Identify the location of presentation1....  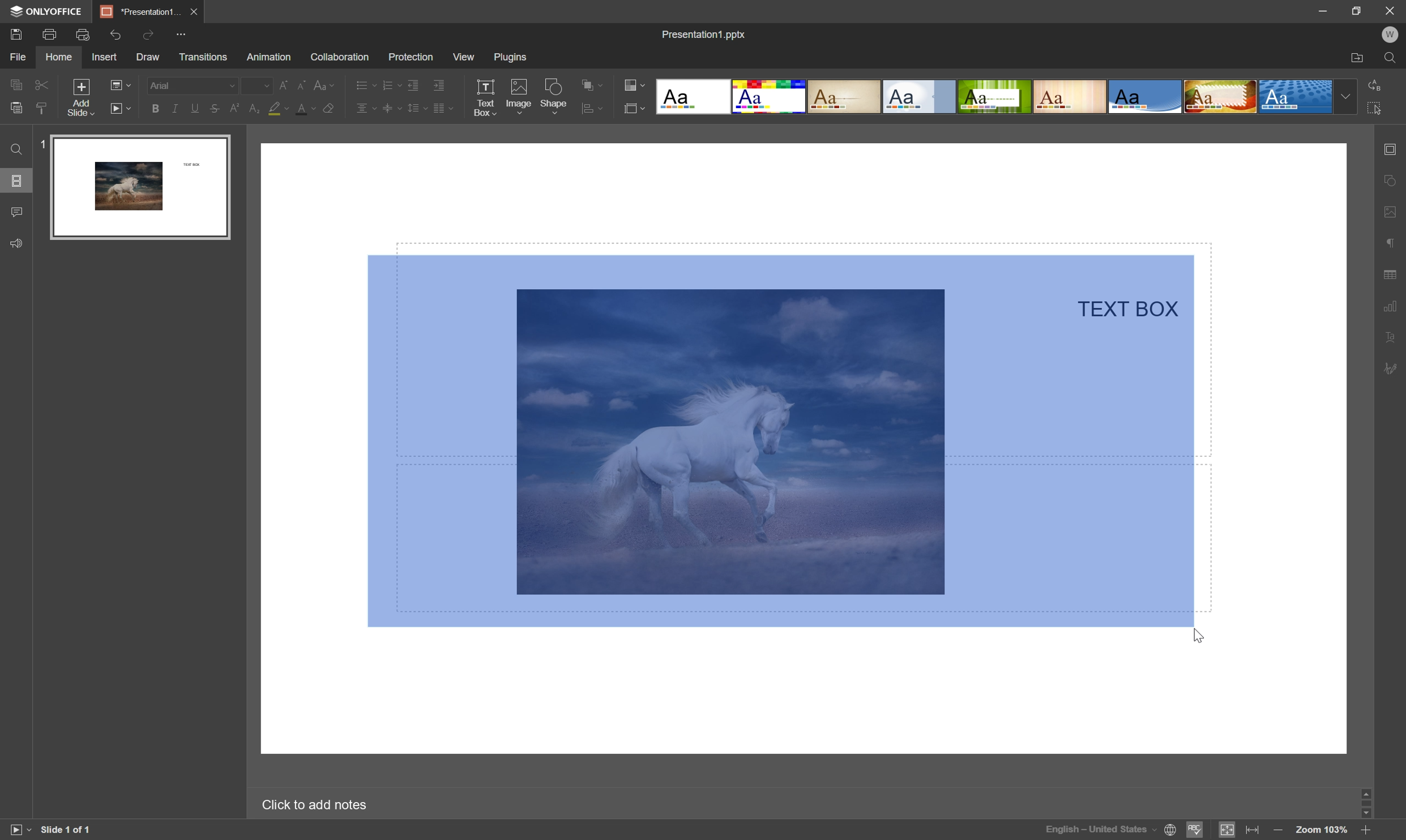
(139, 10).